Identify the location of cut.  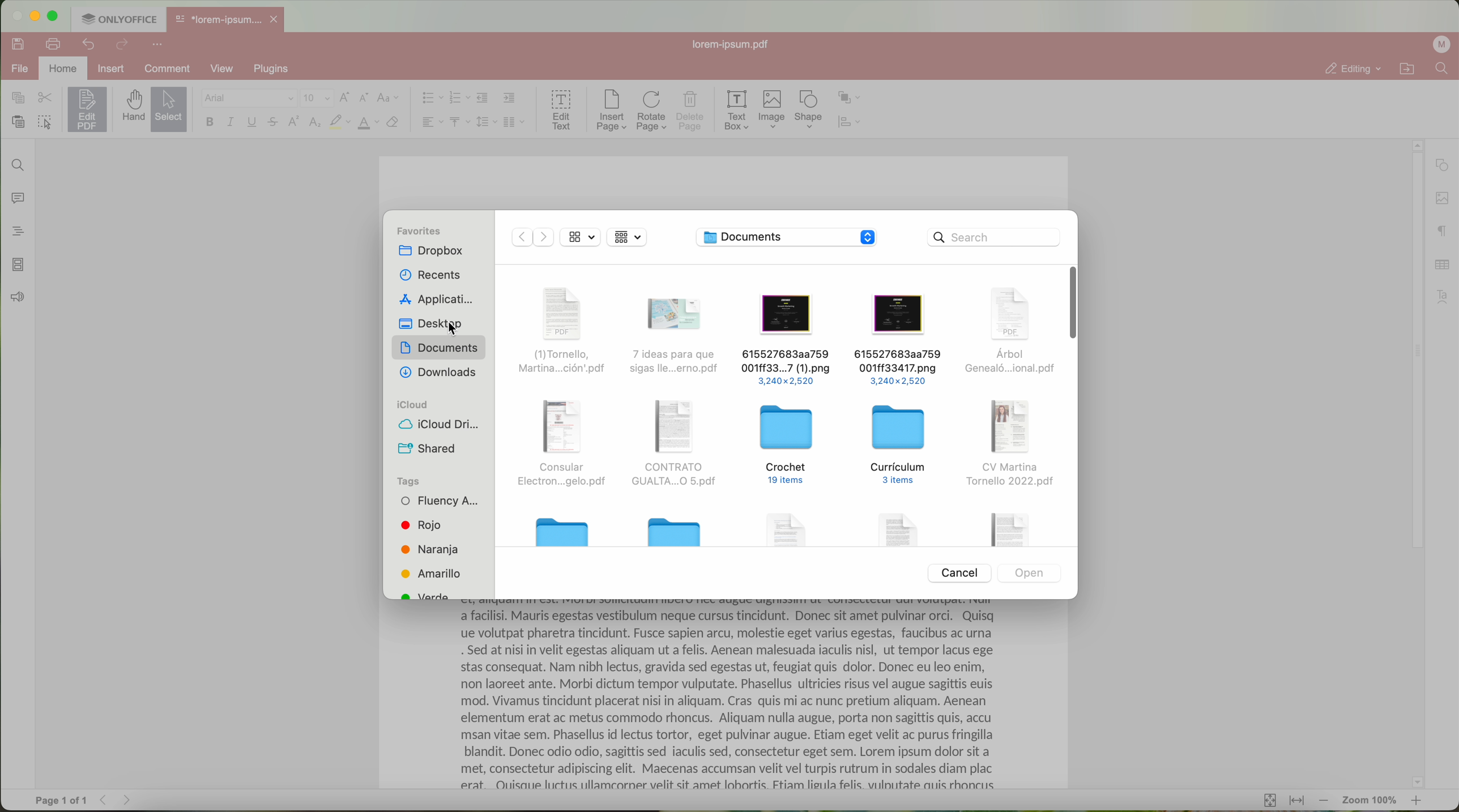
(45, 98).